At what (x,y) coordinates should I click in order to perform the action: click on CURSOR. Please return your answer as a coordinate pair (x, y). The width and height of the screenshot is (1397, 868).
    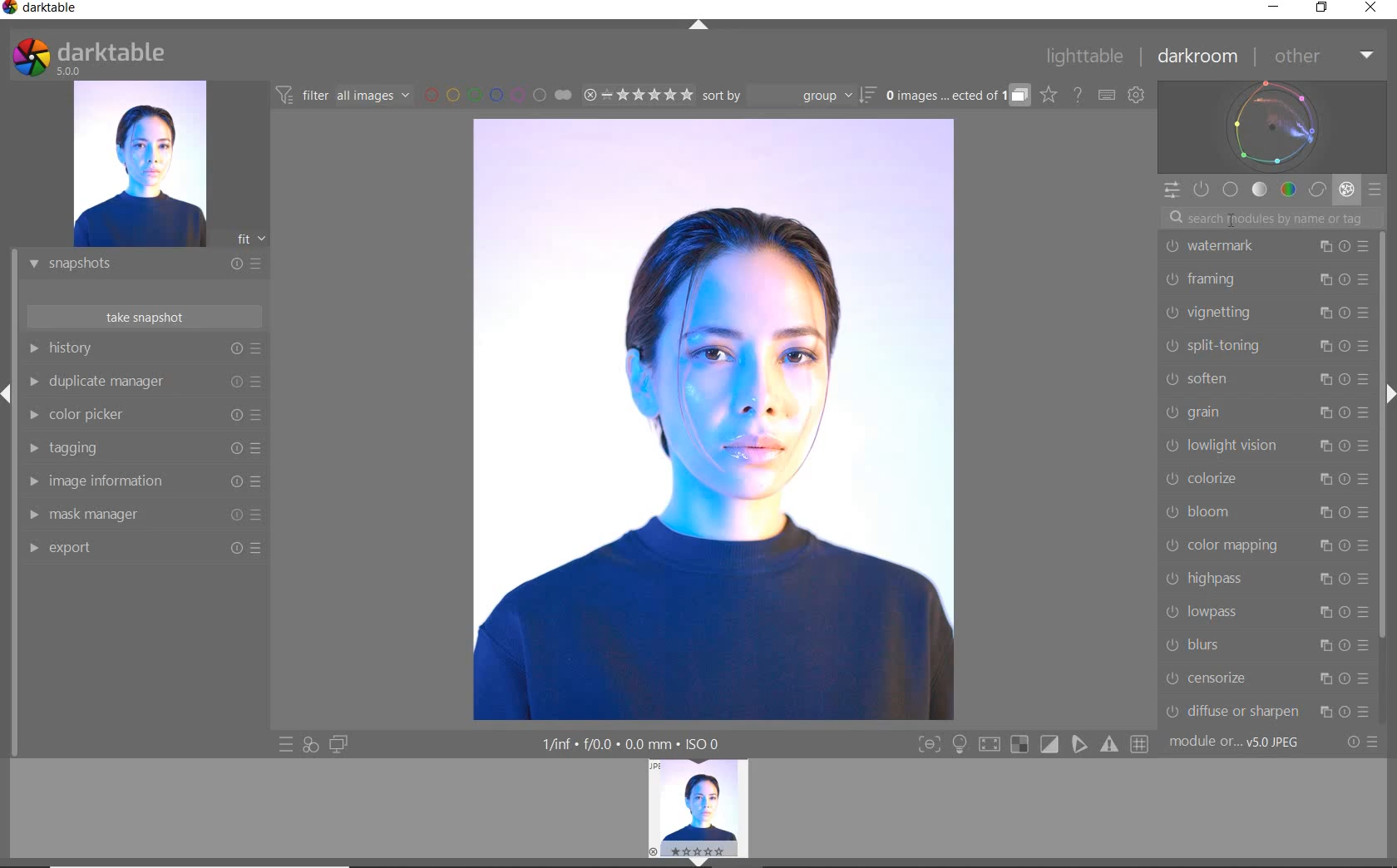
    Looking at the image, I should click on (1231, 218).